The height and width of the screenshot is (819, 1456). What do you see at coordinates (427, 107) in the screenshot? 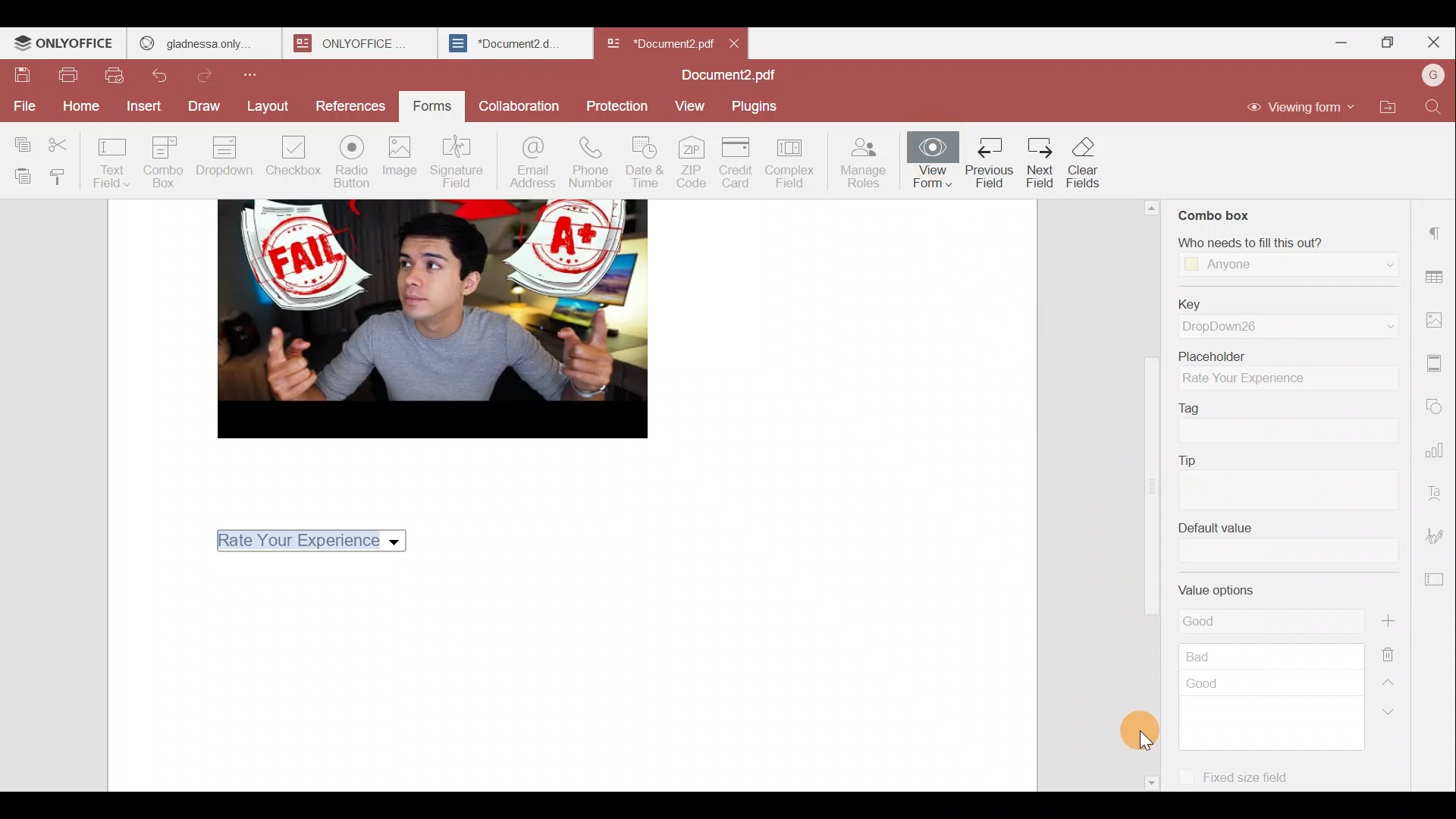
I see `Forms` at bounding box center [427, 107].